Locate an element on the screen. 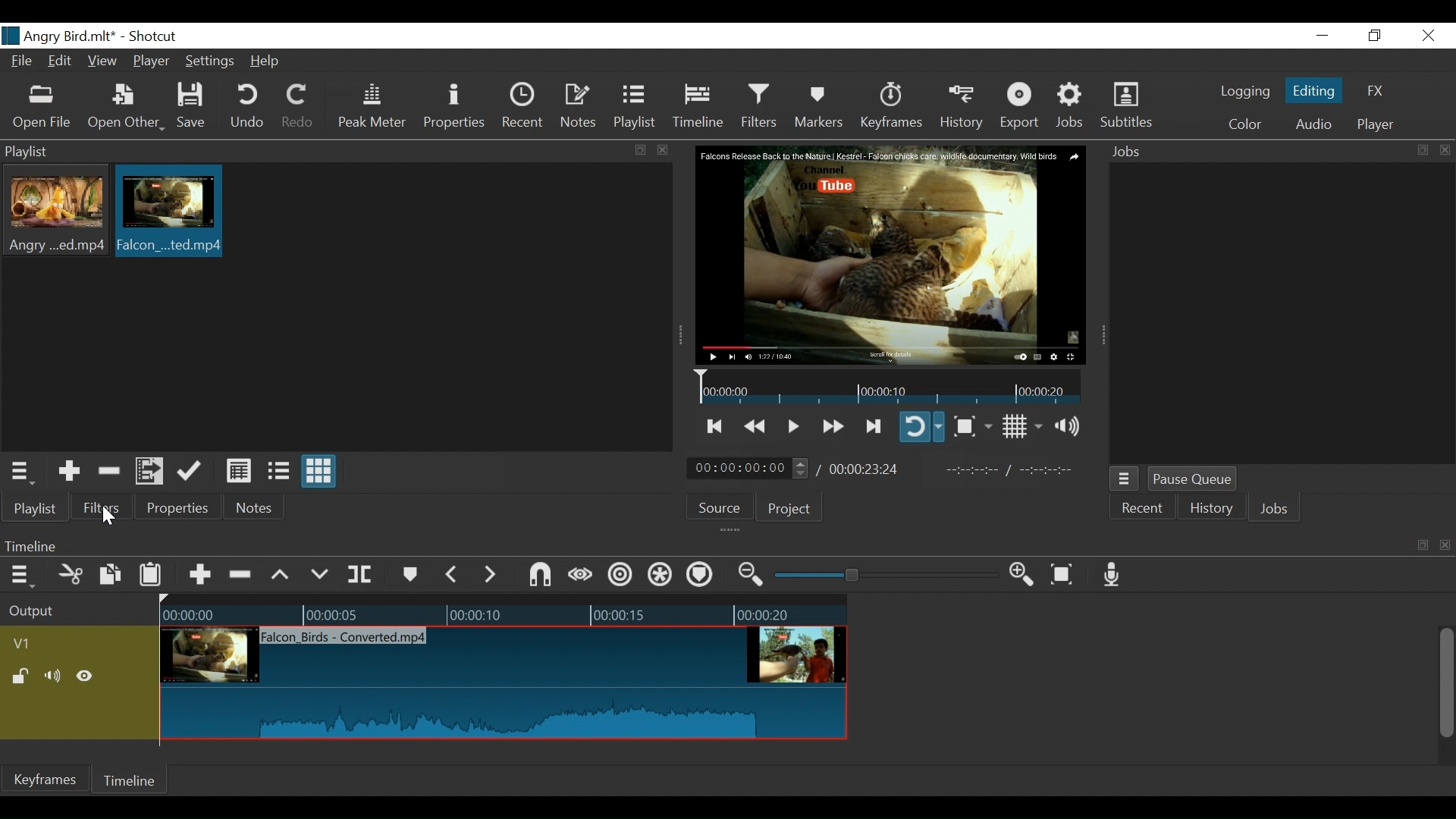 The width and height of the screenshot is (1456, 819). Output is located at coordinates (77, 612).